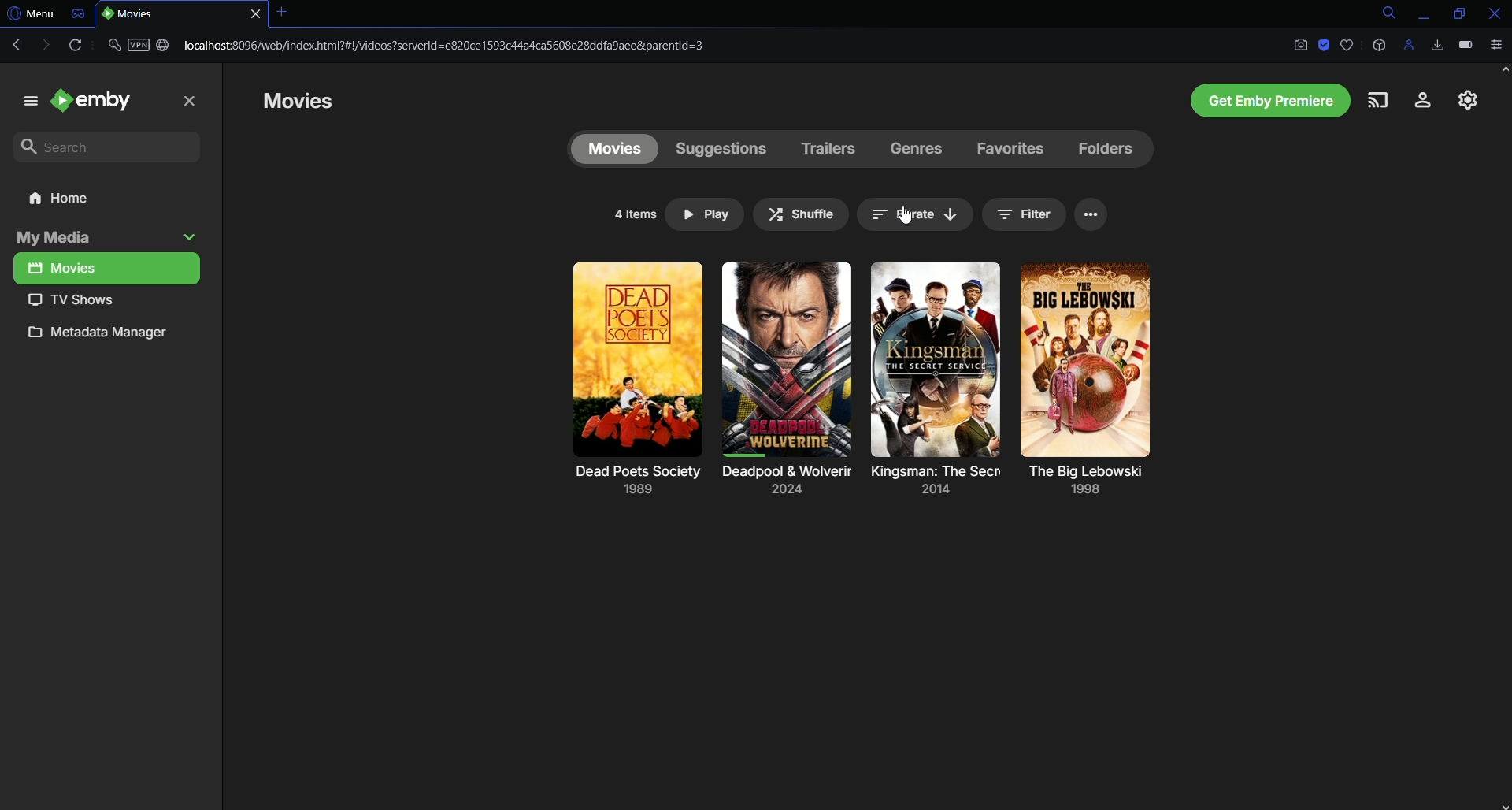 This screenshot has width=1512, height=810. What do you see at coordinates (74, 46) in the screenshot?
I see `Reload` at bounding box center [74, 46].